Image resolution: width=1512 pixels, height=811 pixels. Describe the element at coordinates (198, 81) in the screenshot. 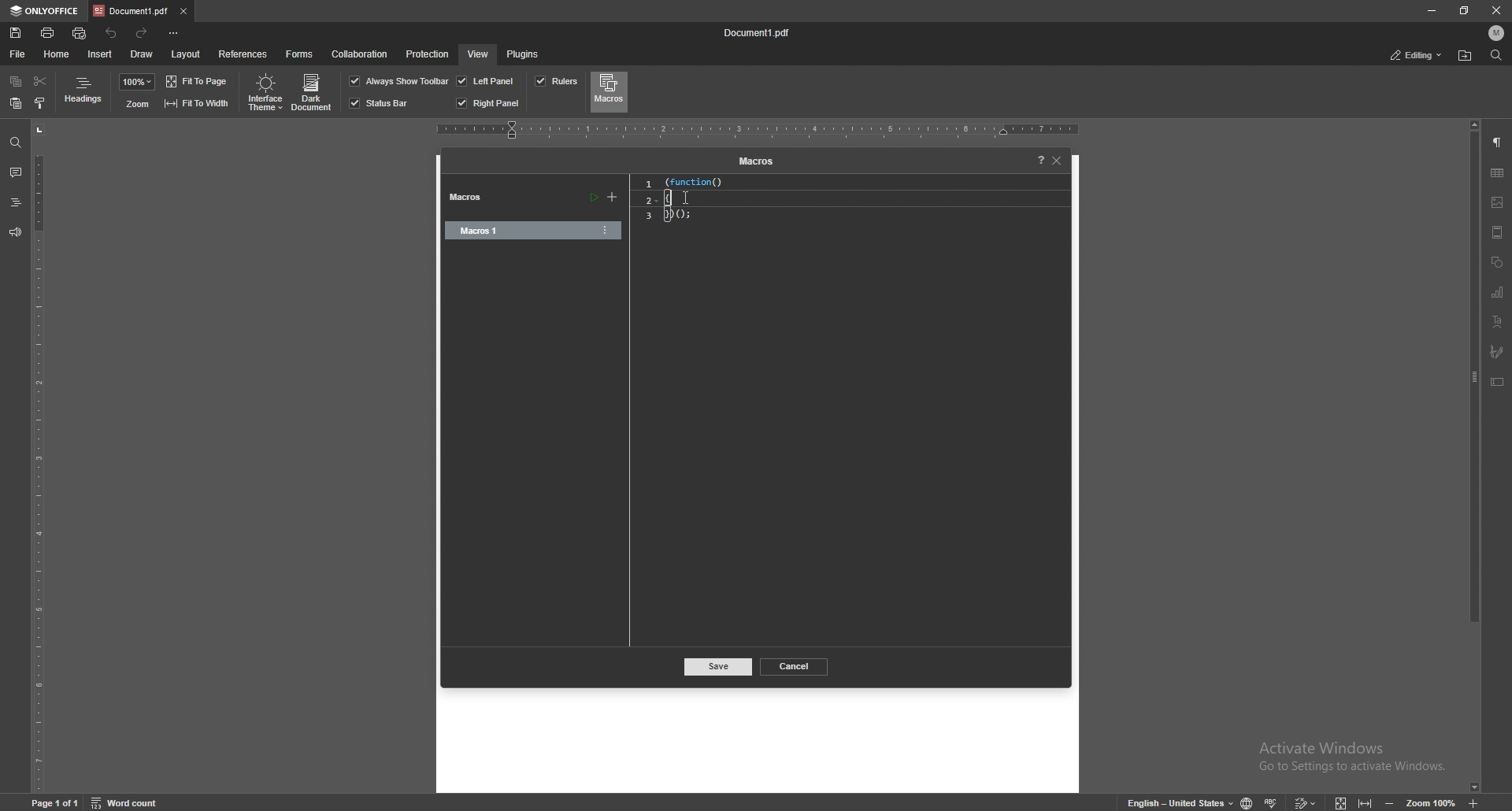

I see `fit to page` at that location.